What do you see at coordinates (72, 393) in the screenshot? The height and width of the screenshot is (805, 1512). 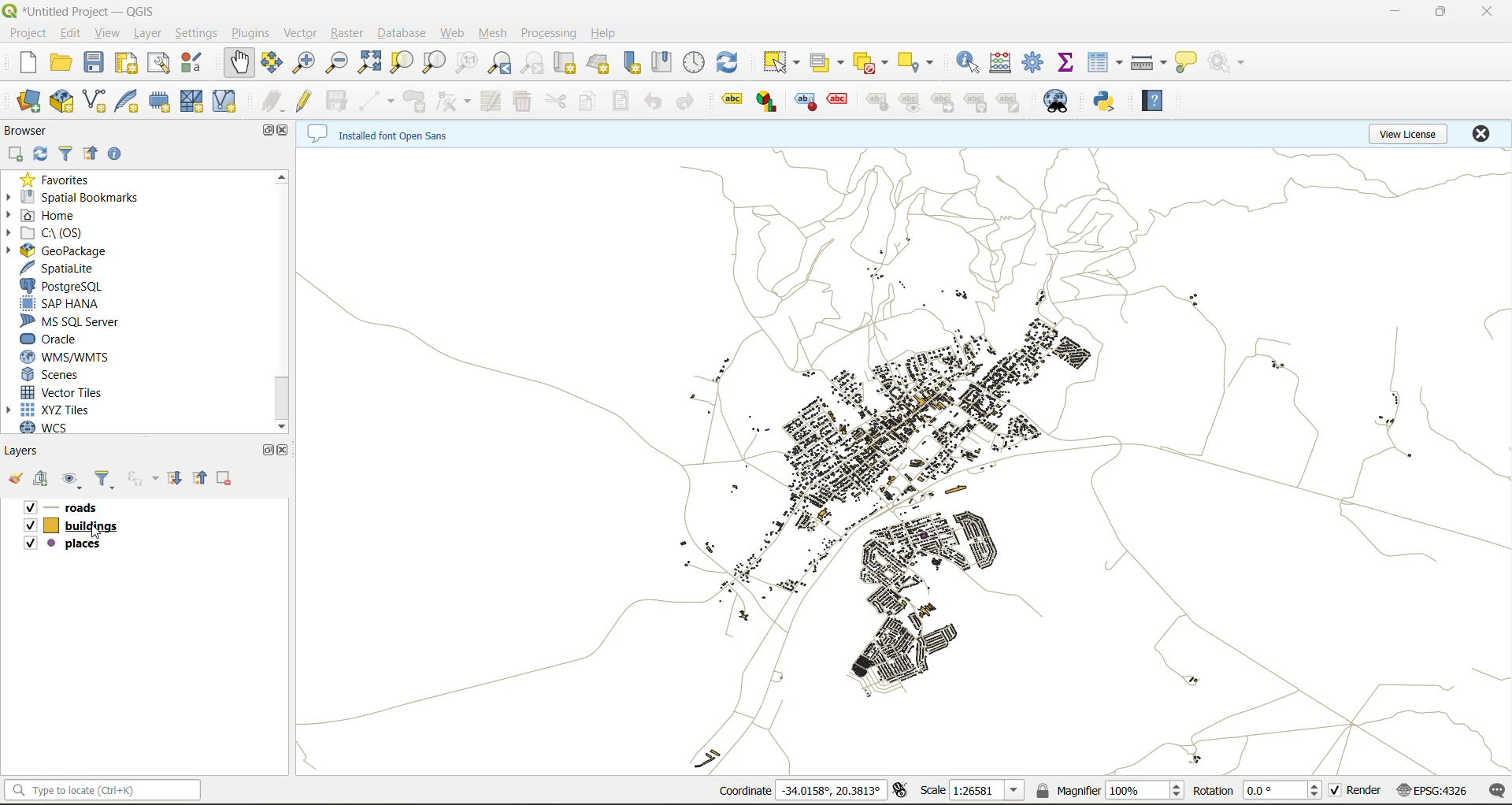 I see `vector tiles` at bounding box center [72, 393].